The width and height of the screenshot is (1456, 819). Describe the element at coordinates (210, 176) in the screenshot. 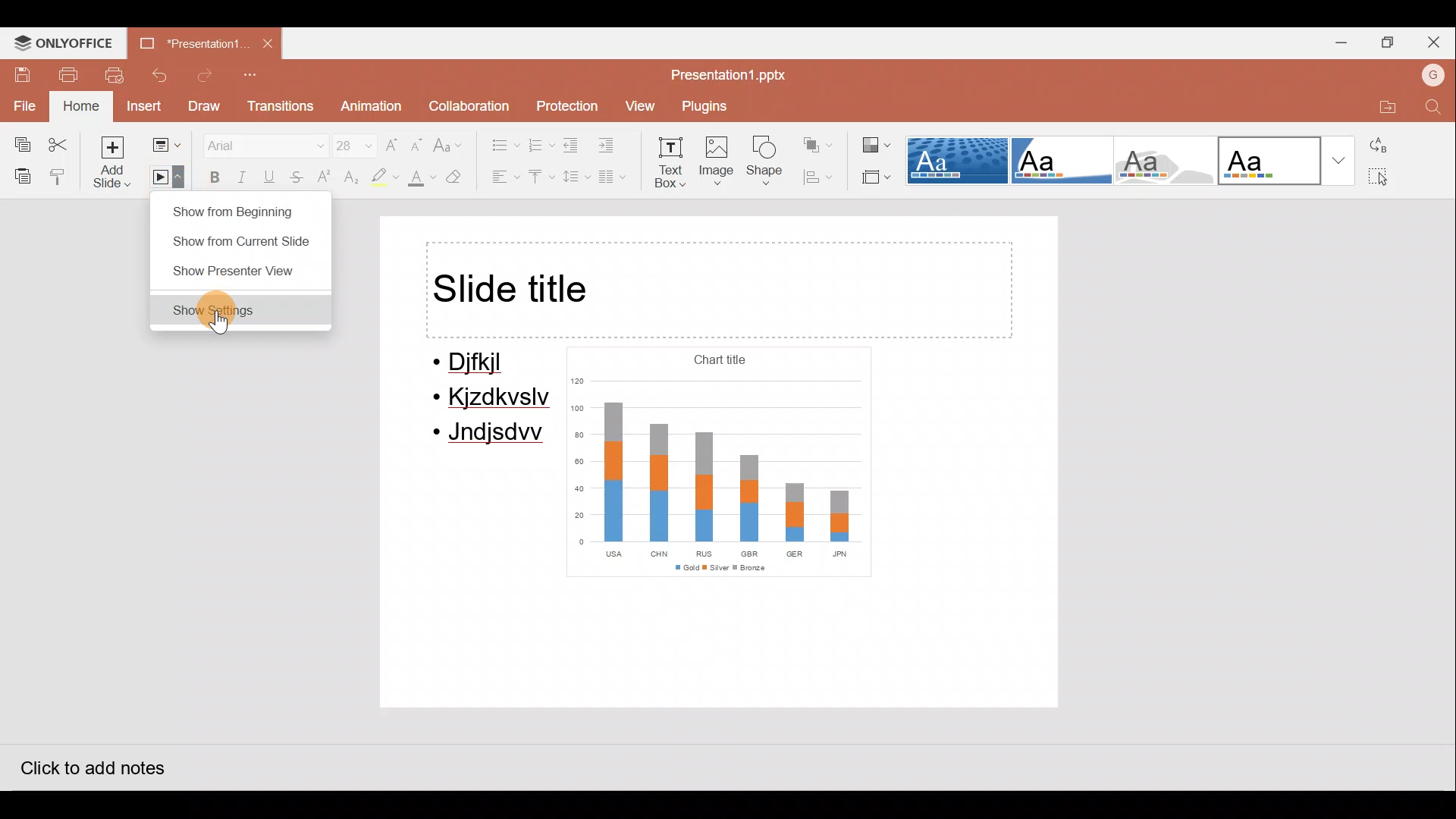

I see `Bold` at that location.